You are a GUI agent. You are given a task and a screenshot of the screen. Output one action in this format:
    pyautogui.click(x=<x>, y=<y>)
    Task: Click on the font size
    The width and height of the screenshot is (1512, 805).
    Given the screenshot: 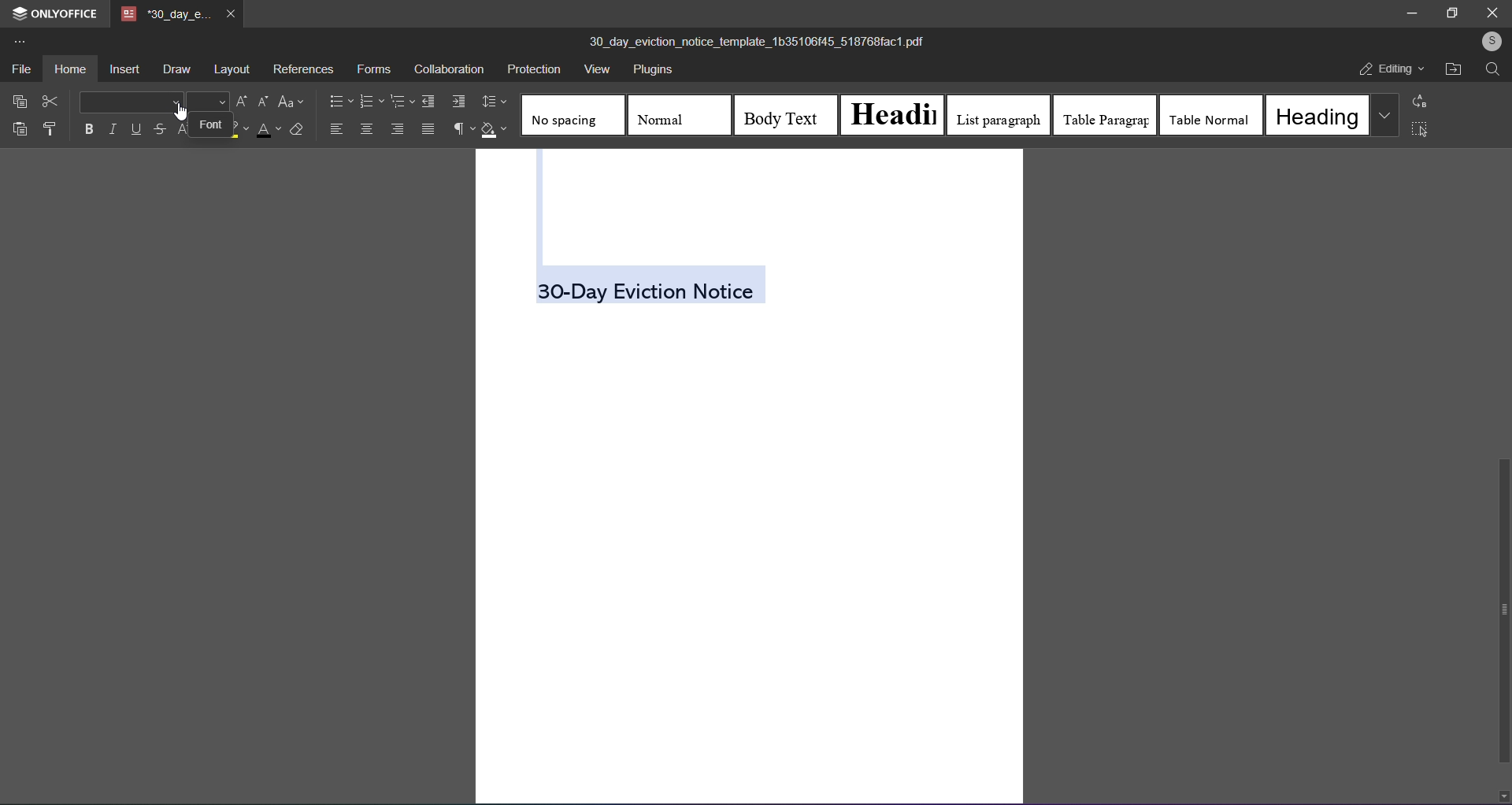 What is the action you would take?
    pyautogui.click(x=206, y=102)
    